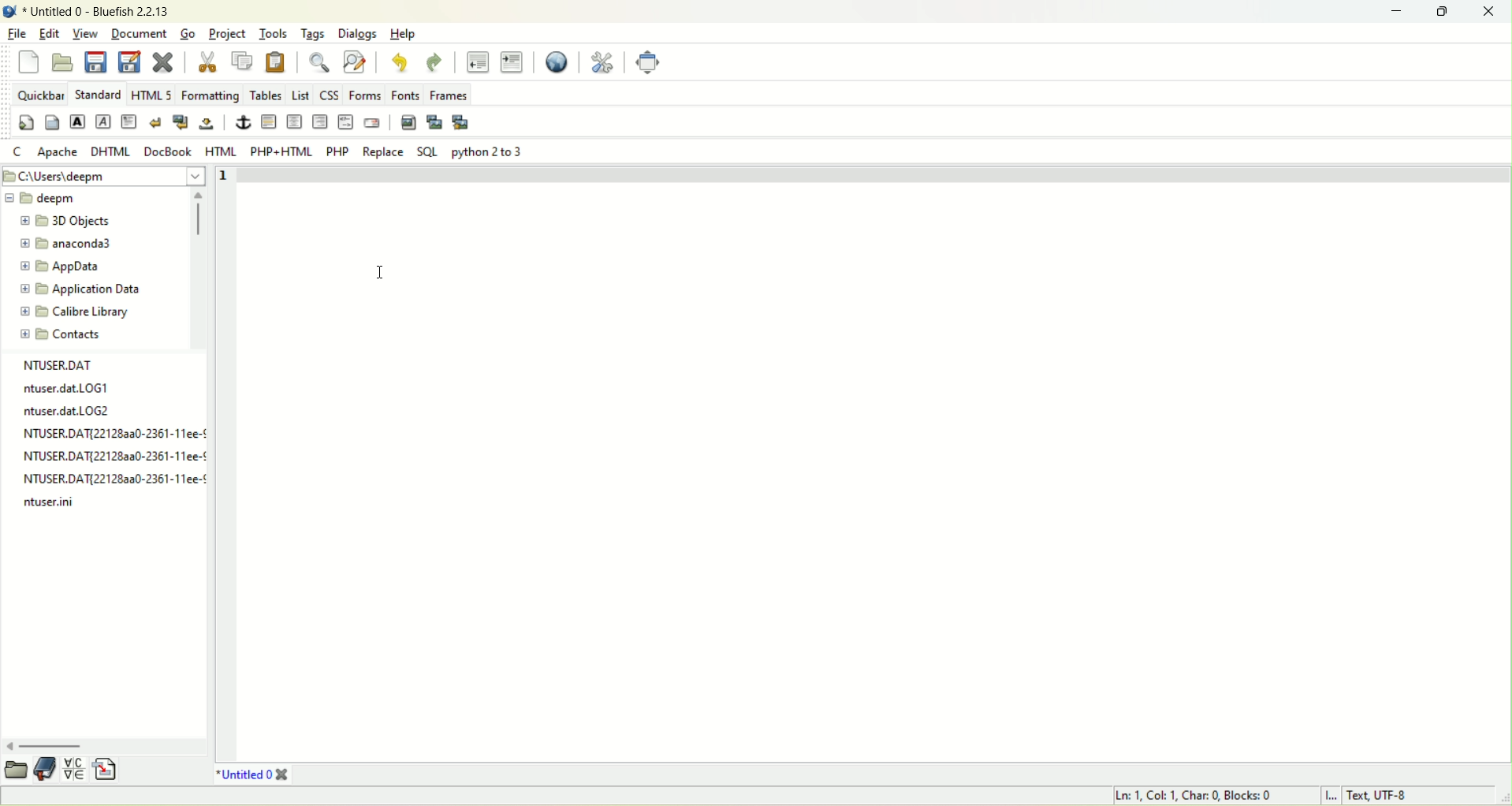 The width and height of the screenshot is (1512, 806). What do you see at coordinates (513, 62) in the screenshot?
I see `indent` at bounding box center [513, 62].